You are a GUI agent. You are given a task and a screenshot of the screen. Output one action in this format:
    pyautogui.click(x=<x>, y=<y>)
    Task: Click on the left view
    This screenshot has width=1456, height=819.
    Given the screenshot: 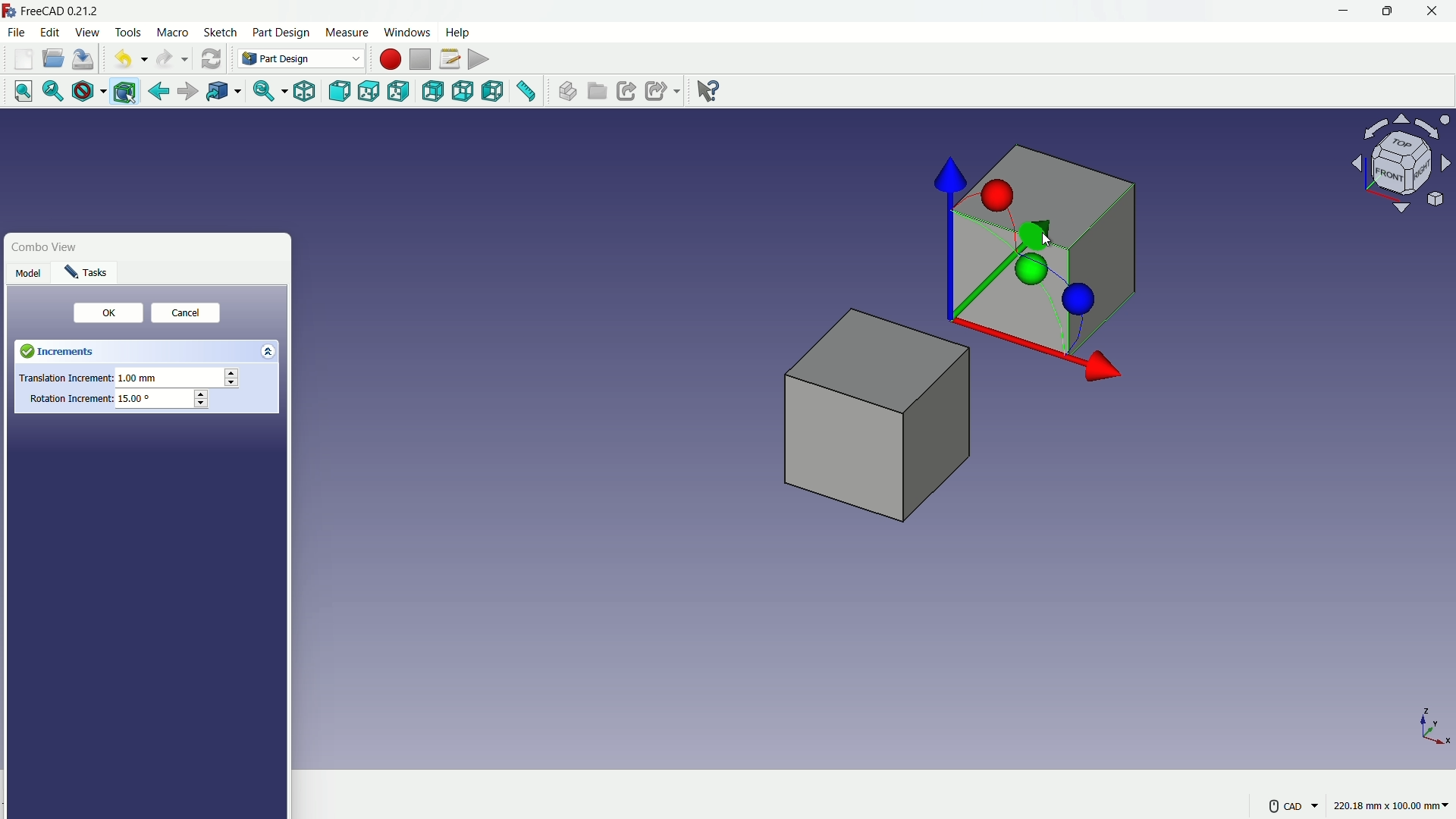 What is the action you would take?
    pyautogui.click(x=494, y=93)
    